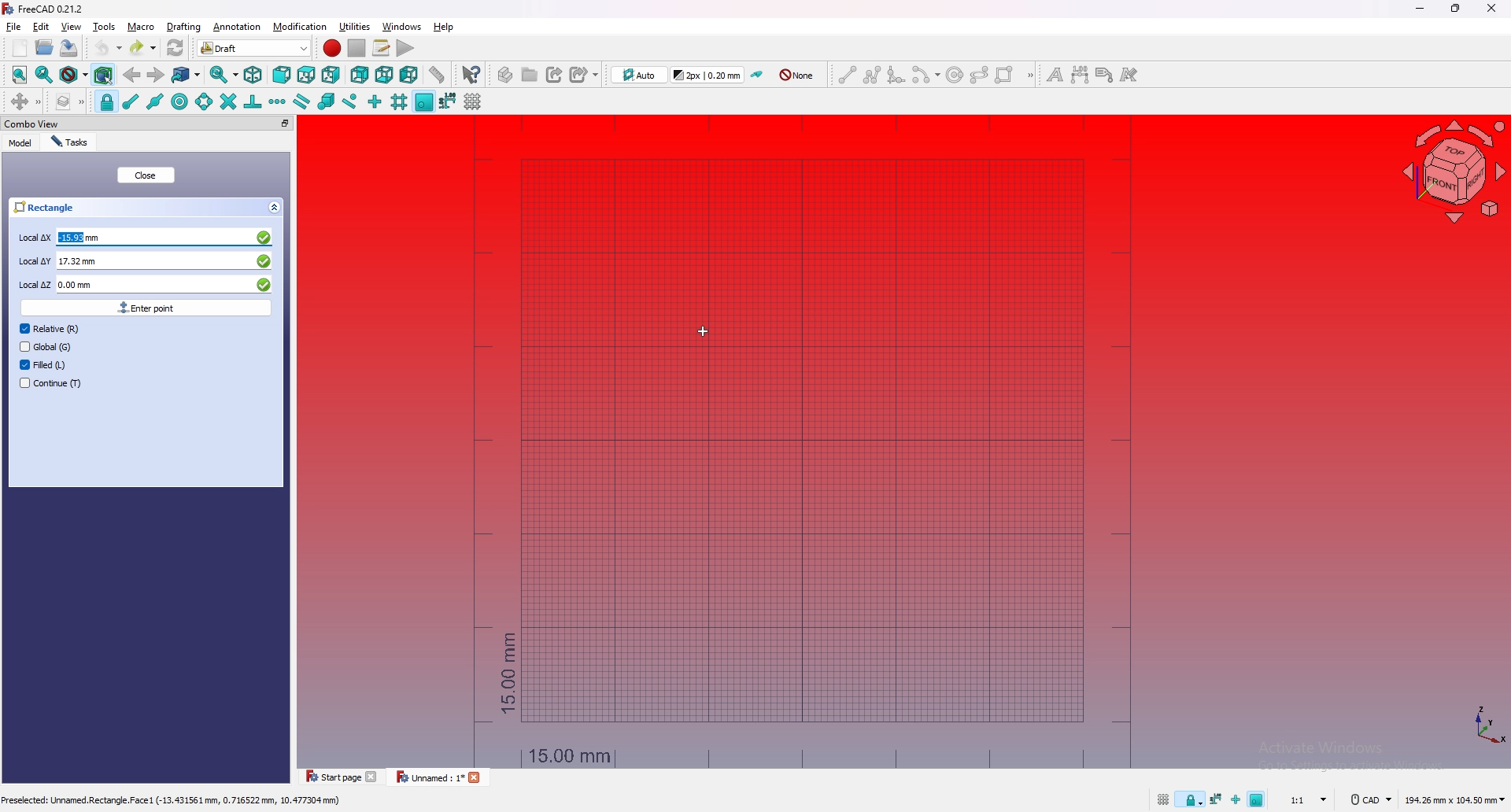 The height and width of the screenshot is (812, 1511). I want to click on rectangle, so click(1005, 75).